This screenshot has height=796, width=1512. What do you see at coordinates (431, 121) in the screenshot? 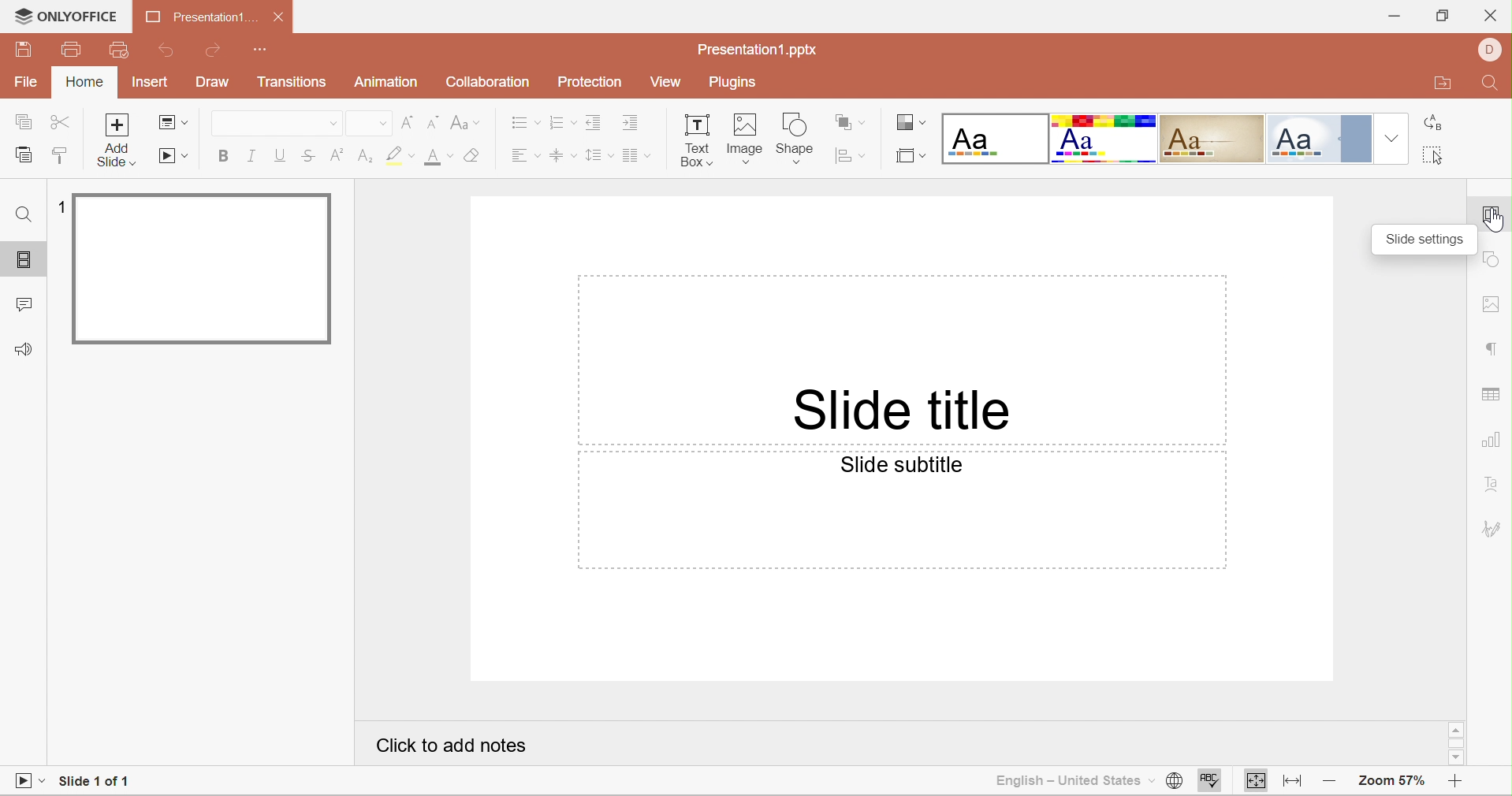
I see `Decrement font size` at bounding box center [431, 121].